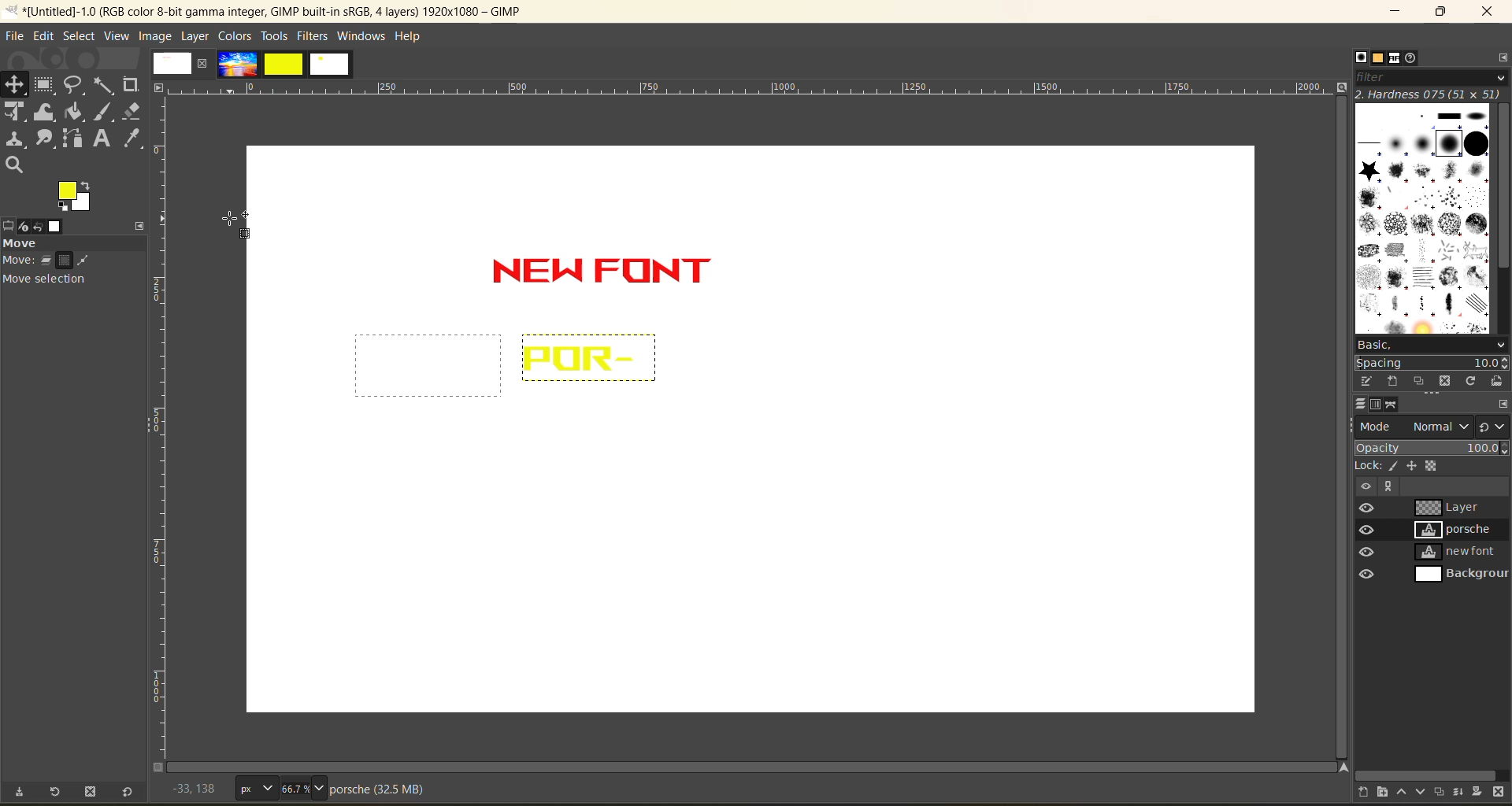 The image size is (1512, 806). Describe the element at coordinates (1399, 793) in the screenshot. I see `raise the layer` at that location.